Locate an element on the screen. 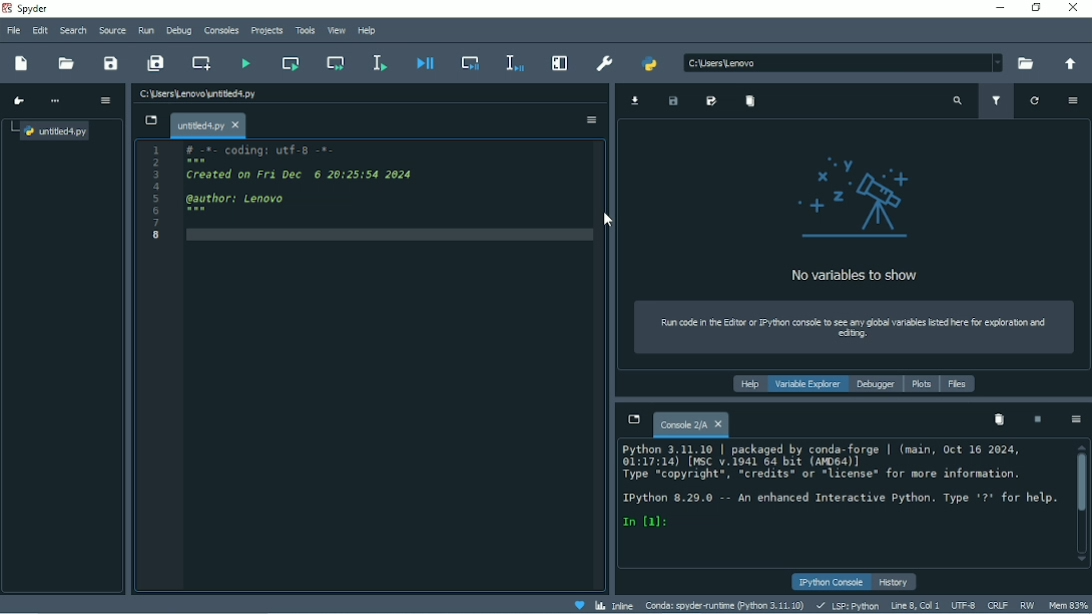 Image resolution: width=1092 pixels, height=614 pixels. New file is located at coordinates (23, 64).